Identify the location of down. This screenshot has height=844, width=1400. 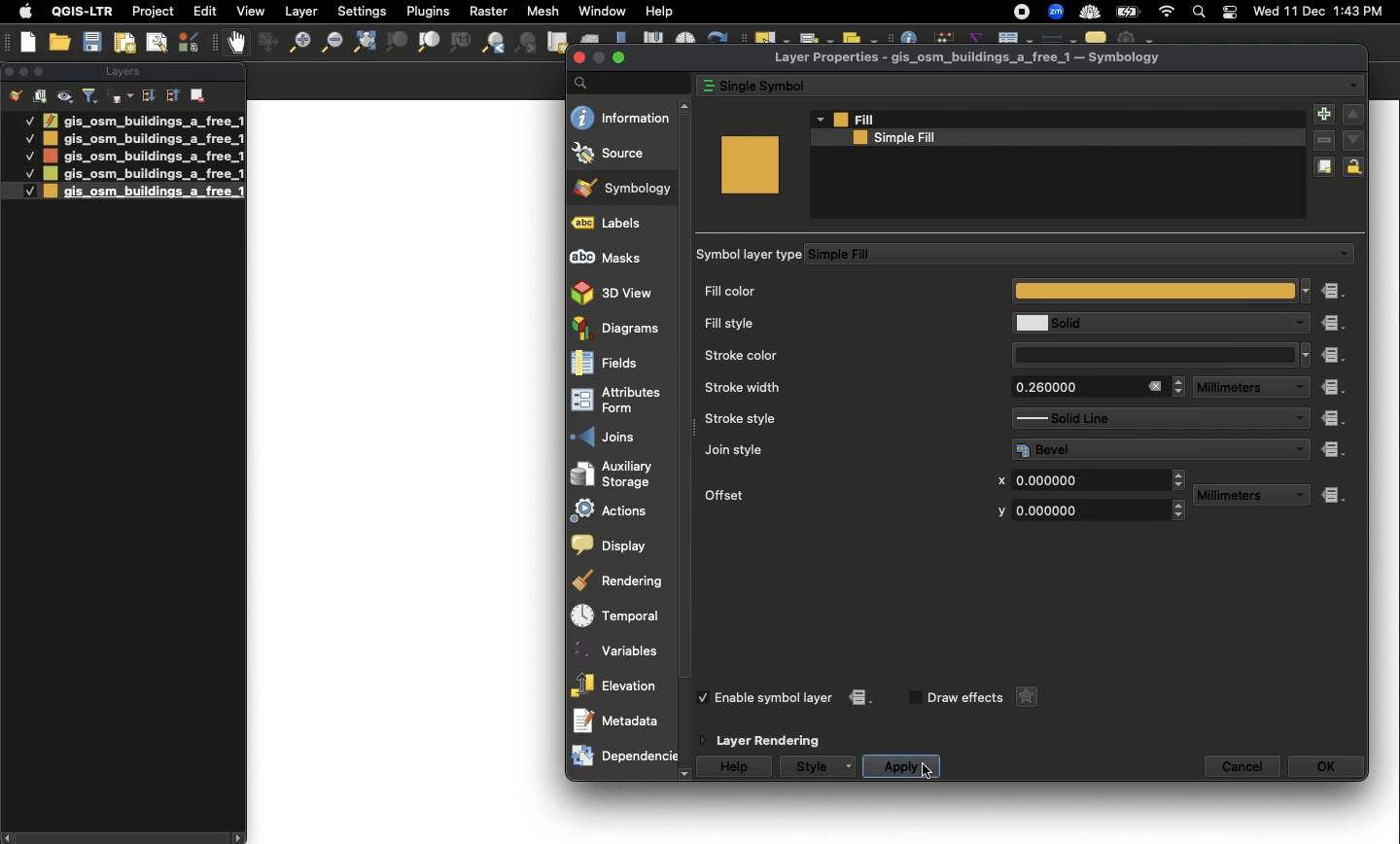
(1353, 139).